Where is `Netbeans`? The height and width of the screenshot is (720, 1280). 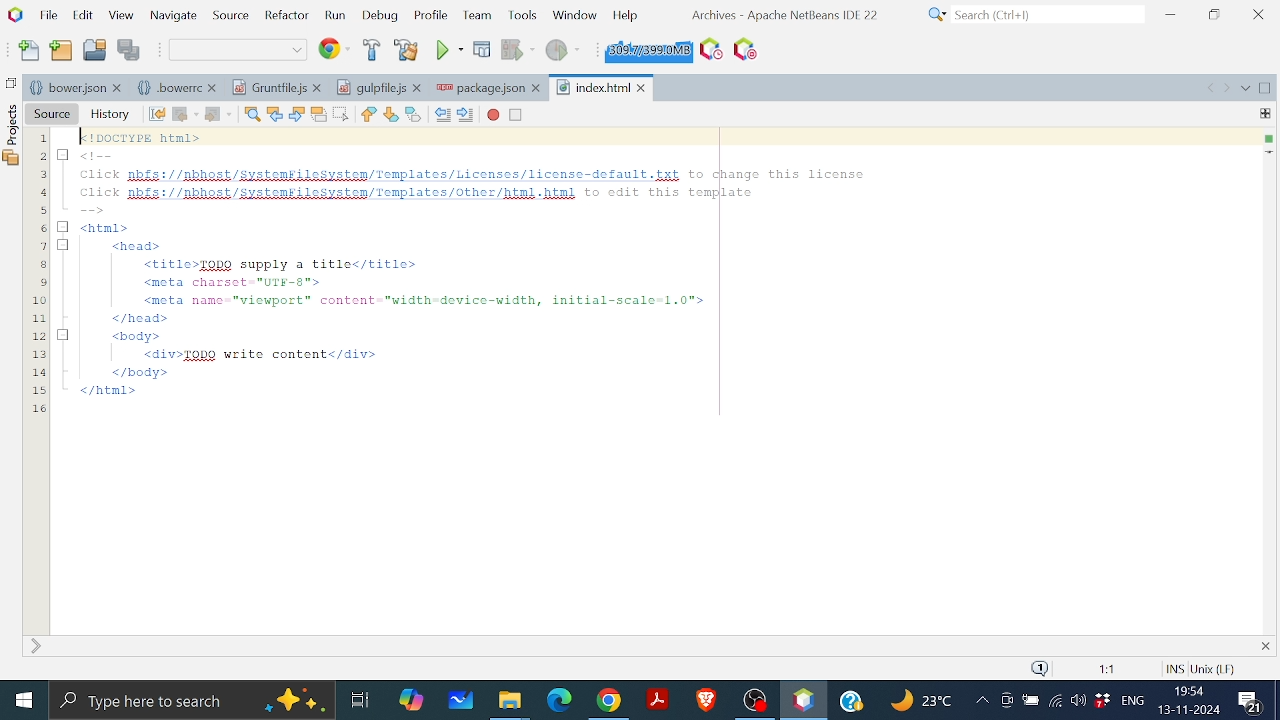 Netbeans is located at coordinates (803, 700).